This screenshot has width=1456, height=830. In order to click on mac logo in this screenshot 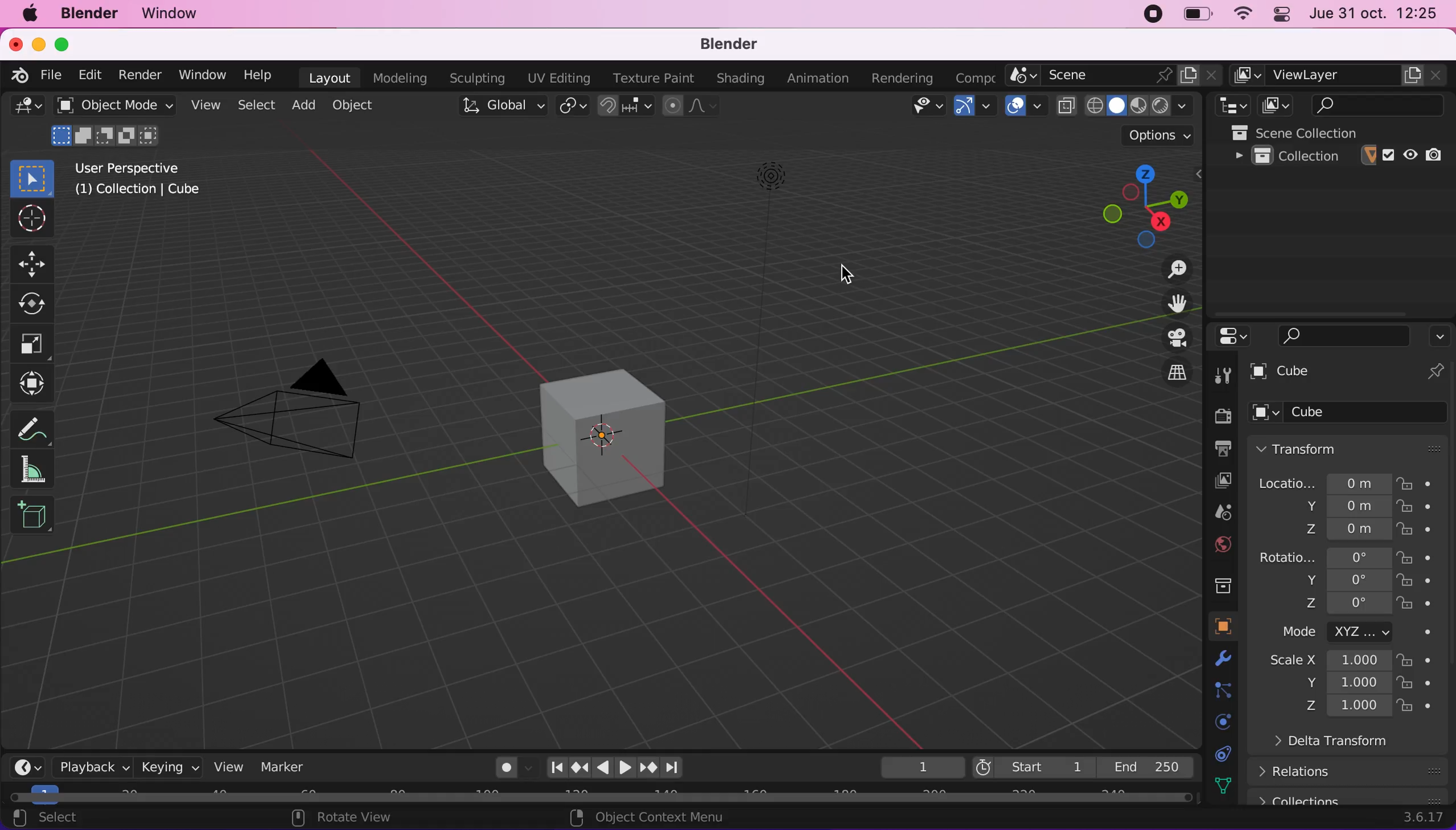, I will do `click(31, 16)`.